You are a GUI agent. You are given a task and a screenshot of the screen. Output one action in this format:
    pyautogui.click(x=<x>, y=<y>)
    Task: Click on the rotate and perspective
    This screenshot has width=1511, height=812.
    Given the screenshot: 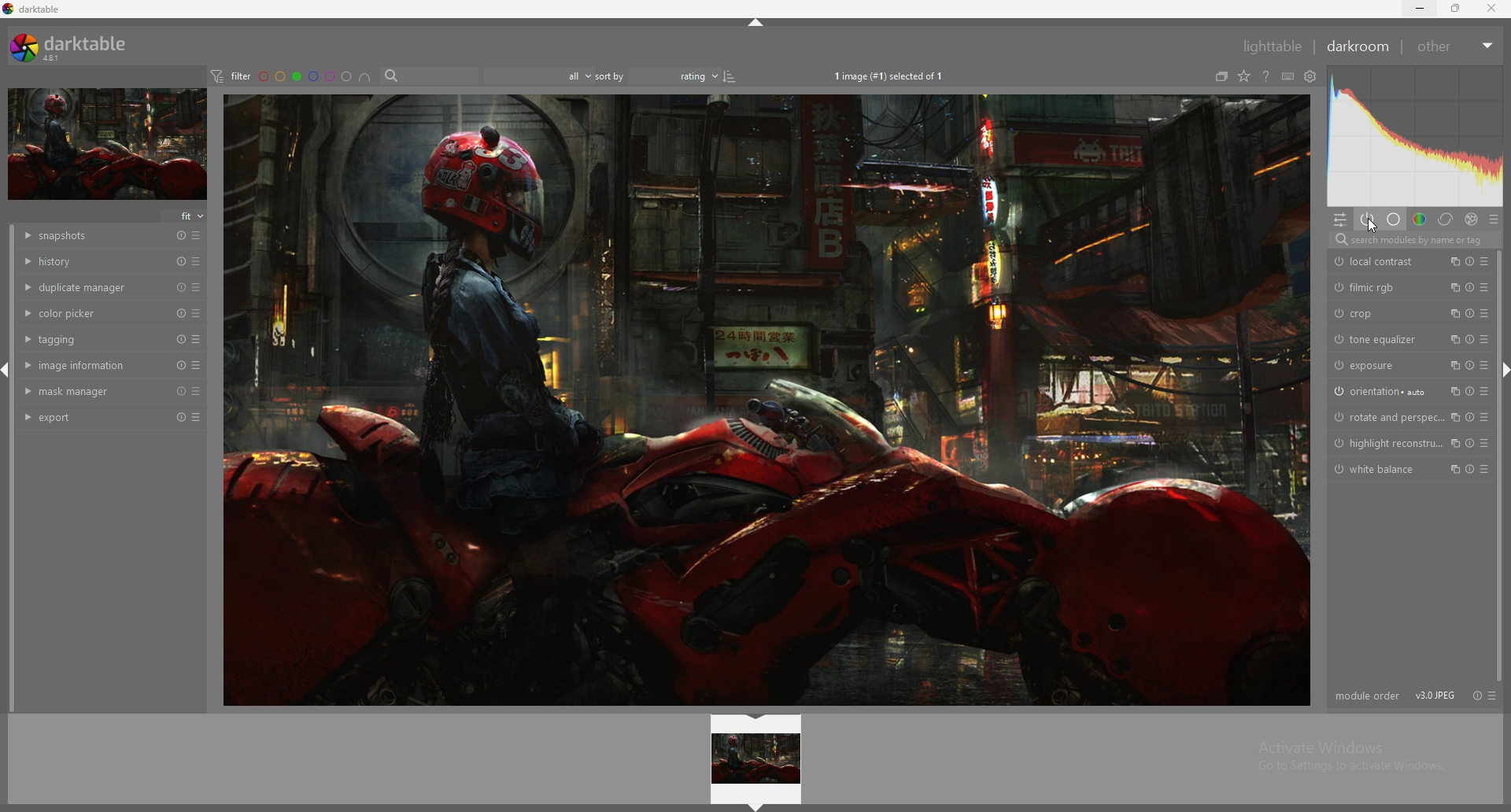 What is the action you would take?
    pyautogui.click(x=1387, y=418)
    